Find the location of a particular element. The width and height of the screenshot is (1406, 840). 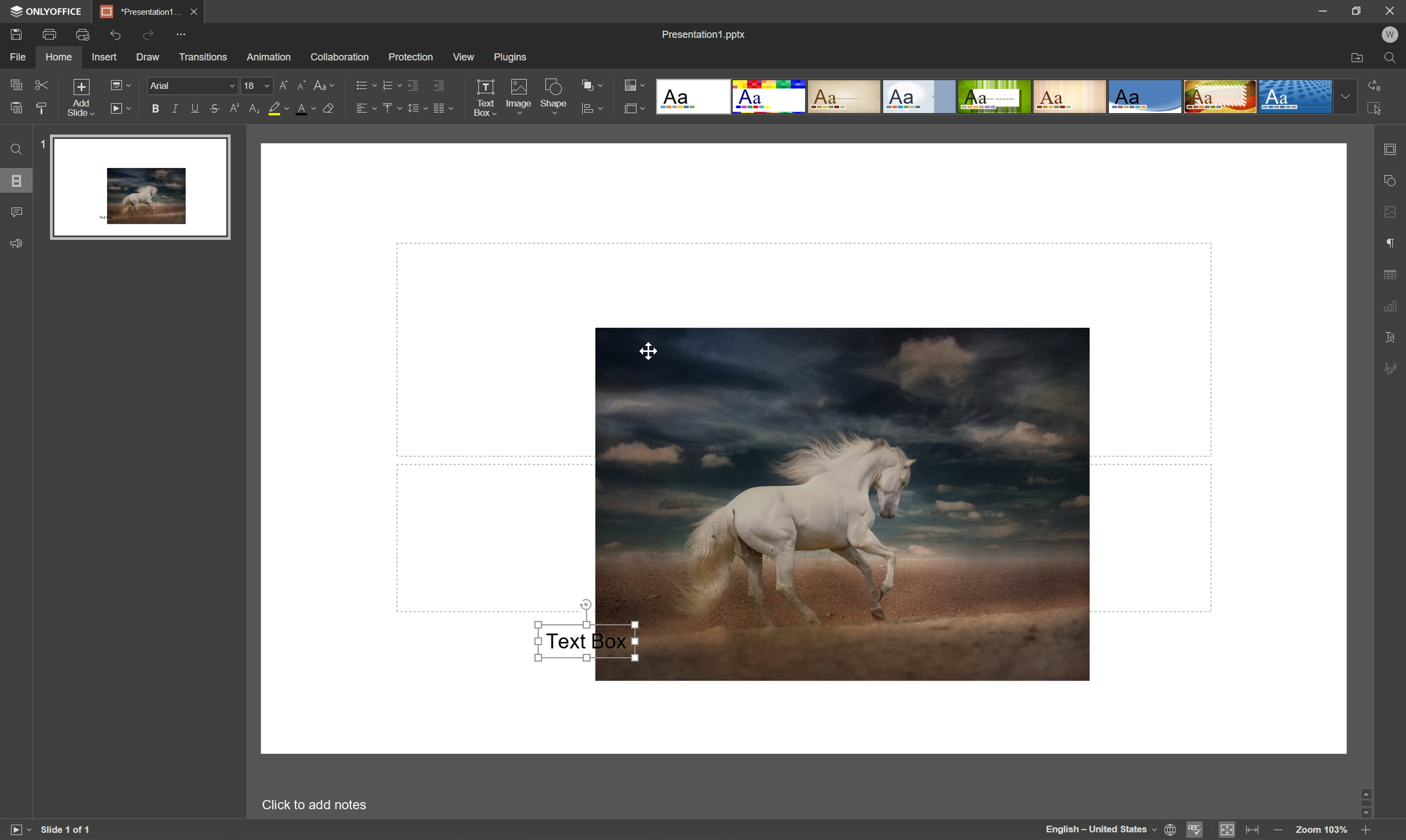

Restore Down is located at coordinates (1357, 9).